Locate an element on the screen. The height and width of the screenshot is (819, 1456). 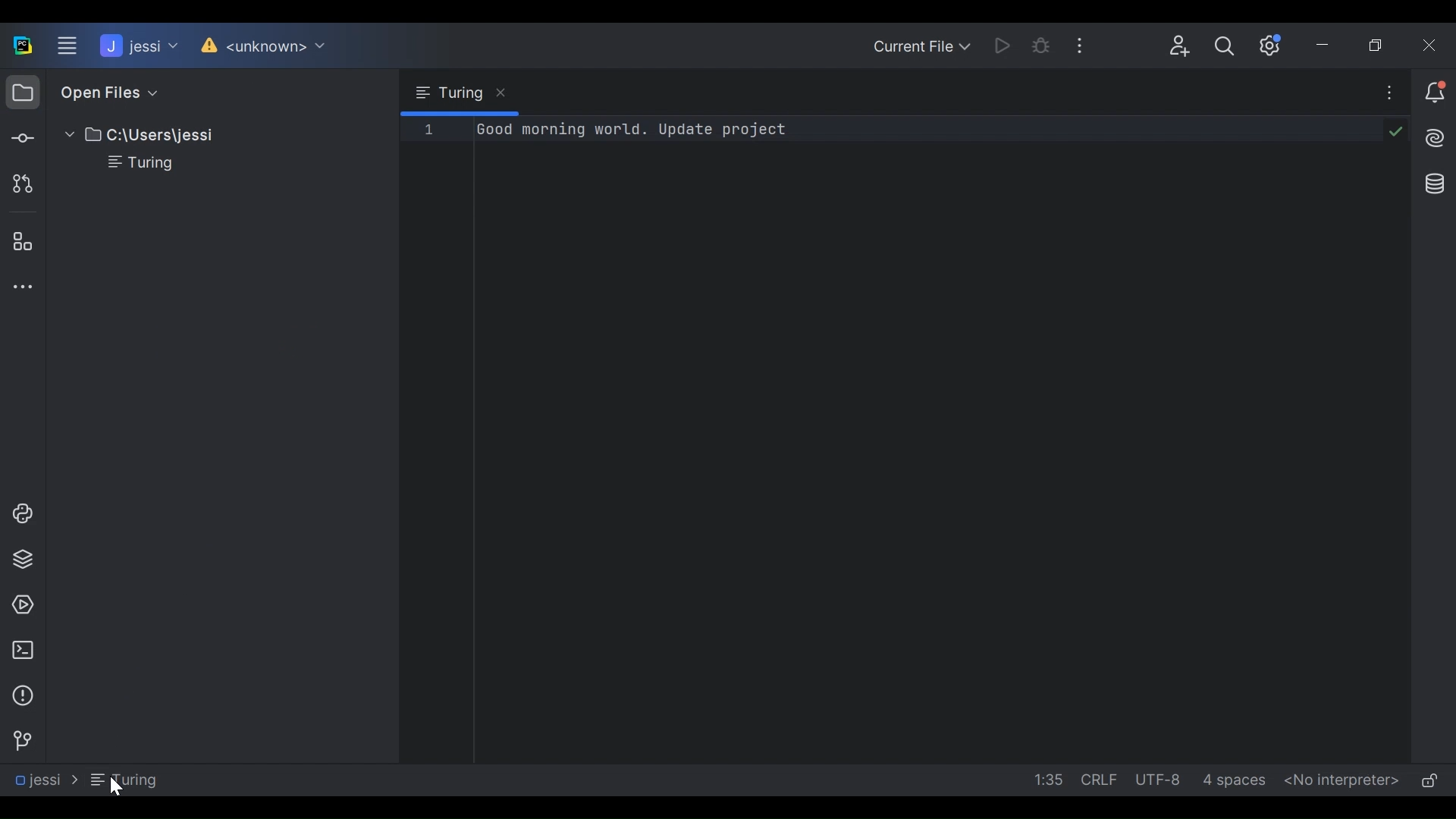
Project View is located at coordinates (22, 91).